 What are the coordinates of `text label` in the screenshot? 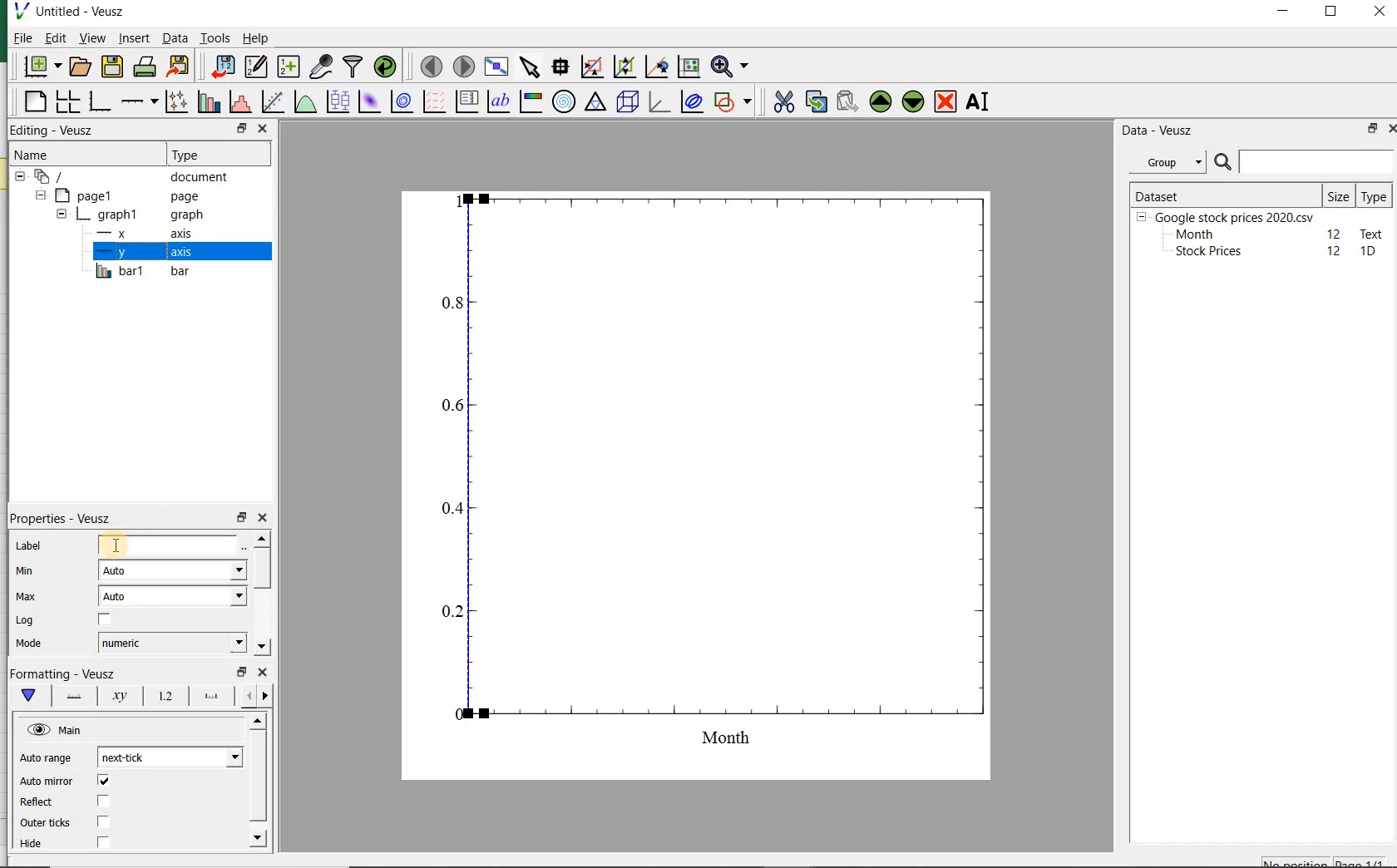 It's located at (498, 103).